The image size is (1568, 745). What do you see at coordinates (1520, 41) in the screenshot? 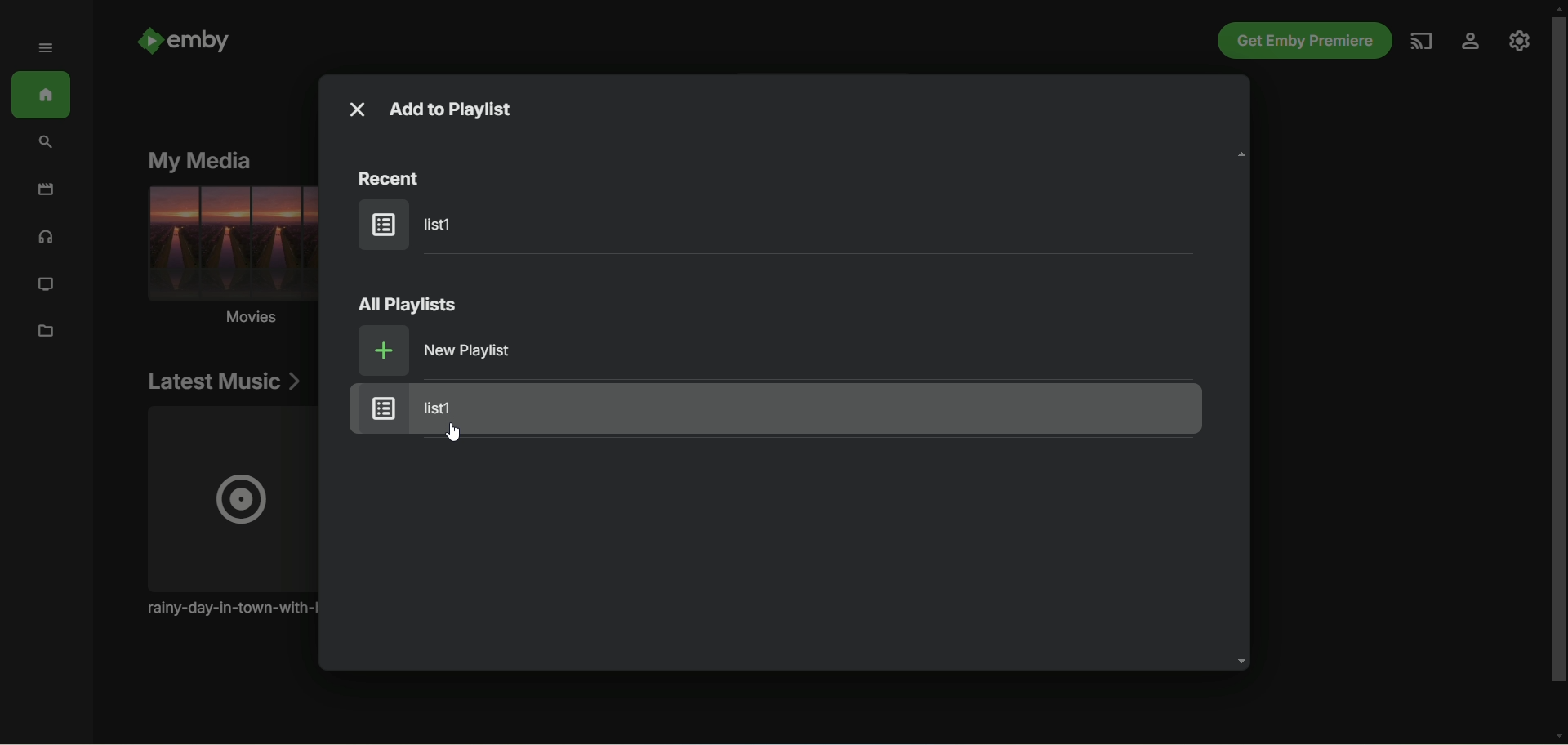
I see `manage emby server` at bounding box center [1520, 41].